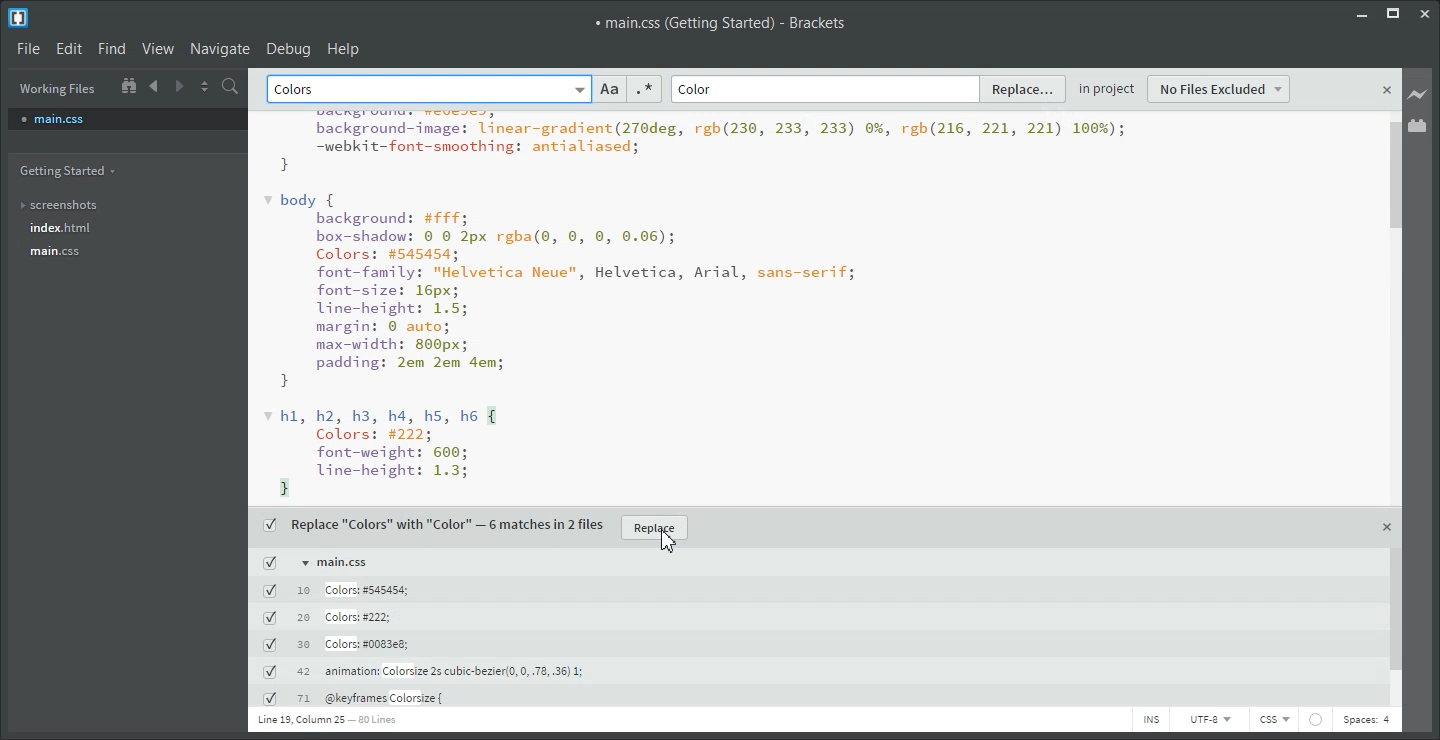 This screenshot has width=1440, height=740. I want to click on Match Case, so click(610, 89).